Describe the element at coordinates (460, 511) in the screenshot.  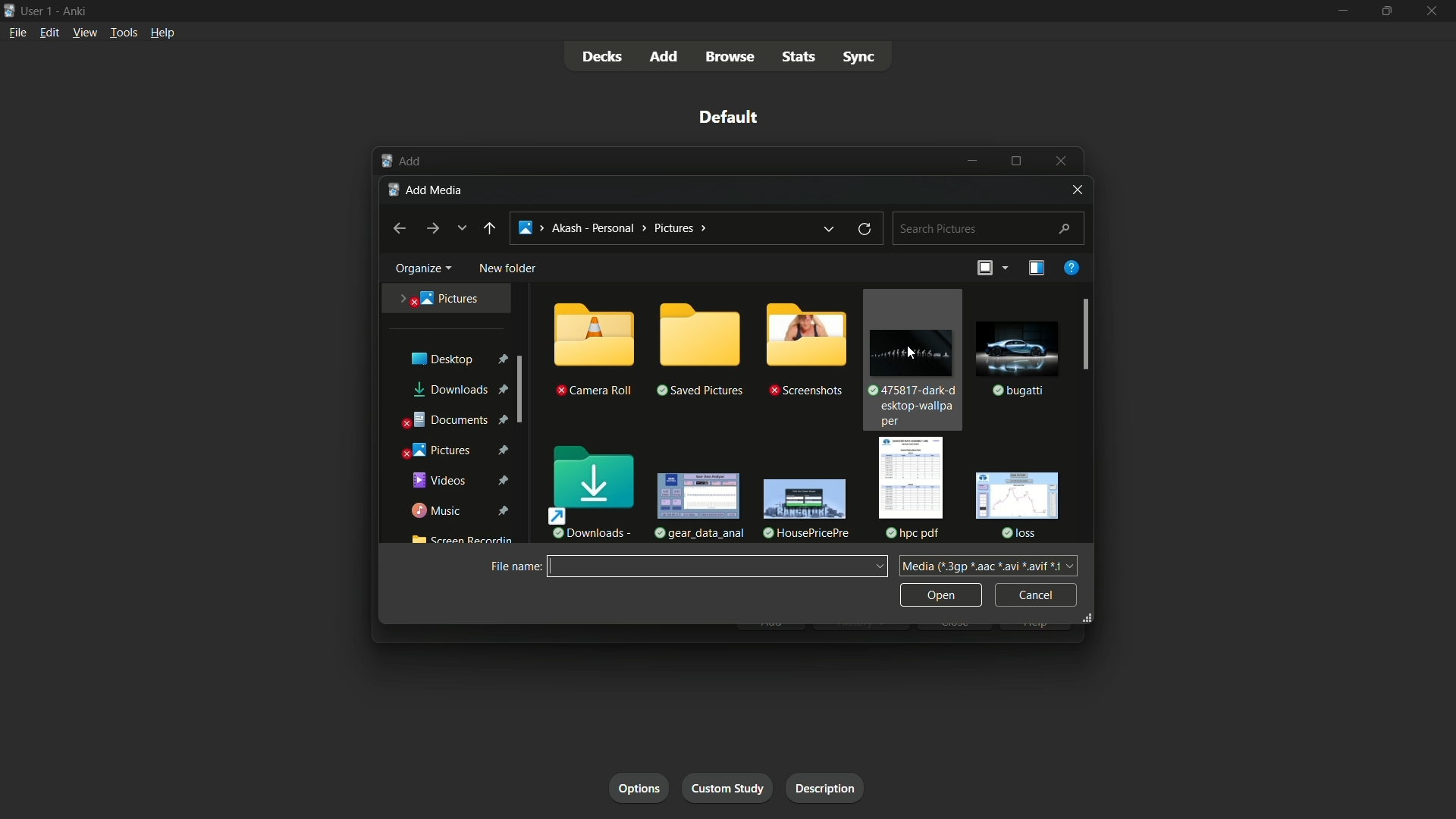
I see `music` at that location.